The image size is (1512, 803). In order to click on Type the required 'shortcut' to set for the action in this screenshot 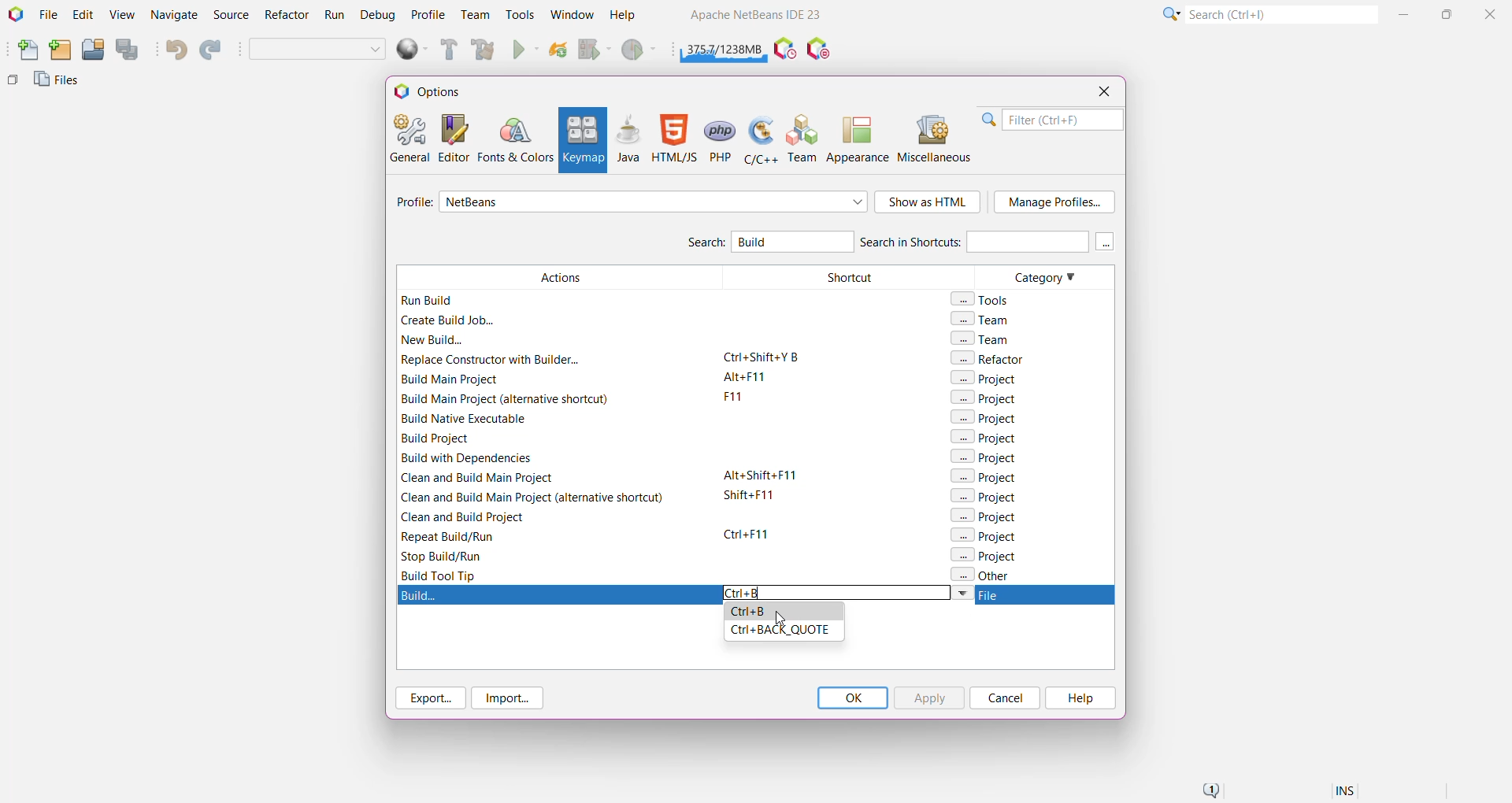, I will do `click(748, 594)`.